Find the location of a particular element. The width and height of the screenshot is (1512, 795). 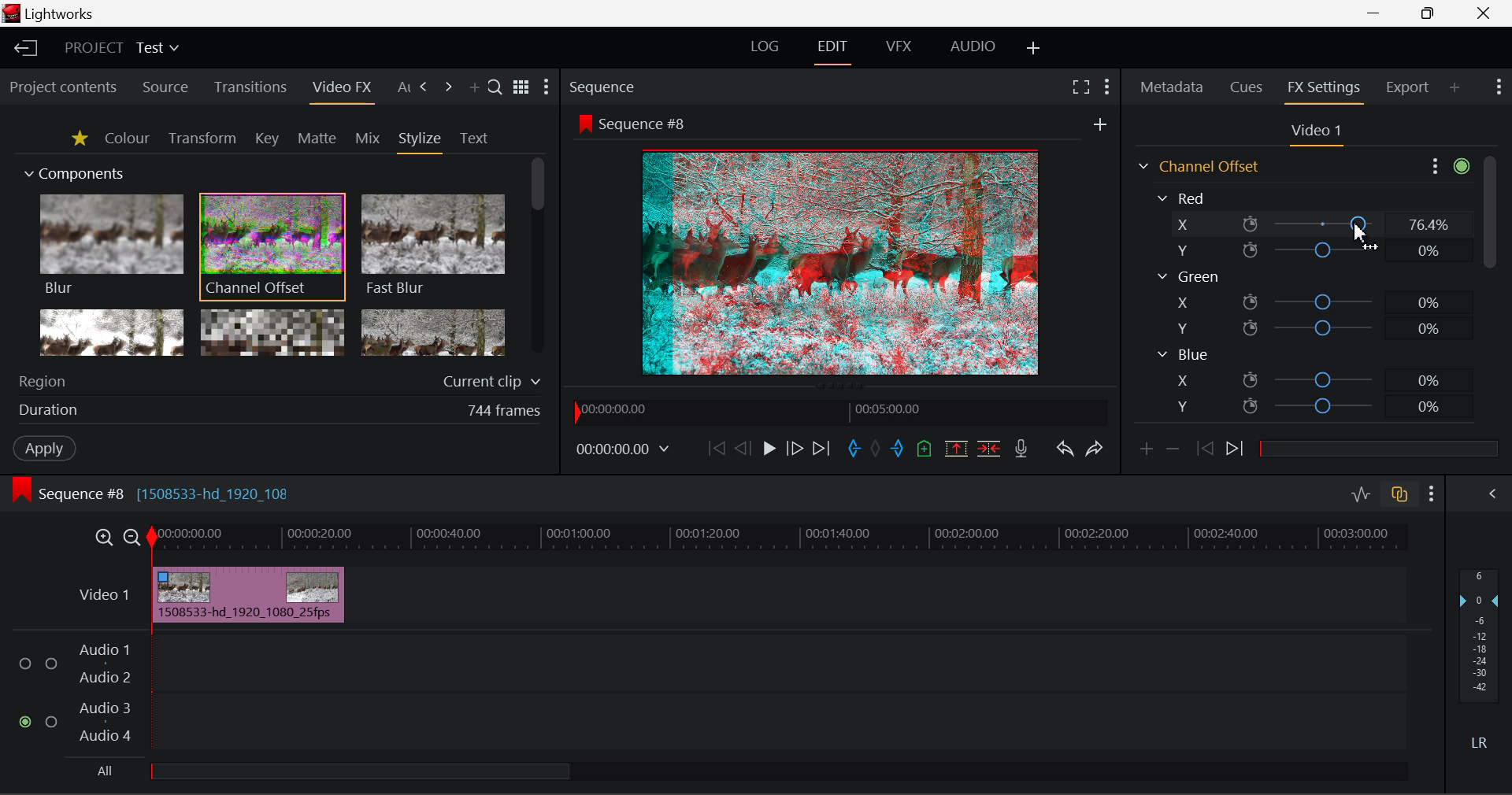

Toggle between title and list view is located at coordinates (521, 84).